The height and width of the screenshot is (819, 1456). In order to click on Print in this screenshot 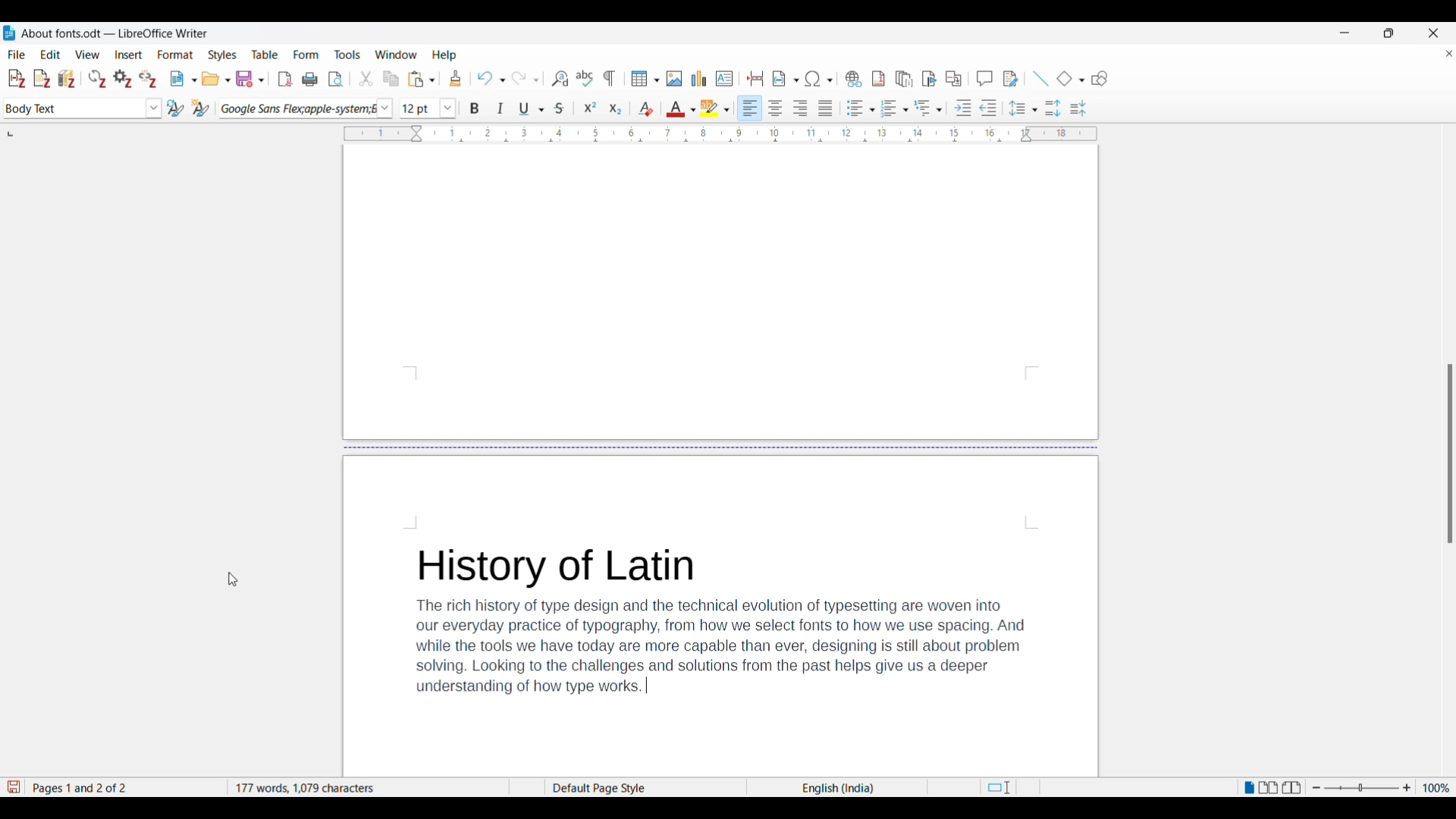, I will do `click(309, 80)`.